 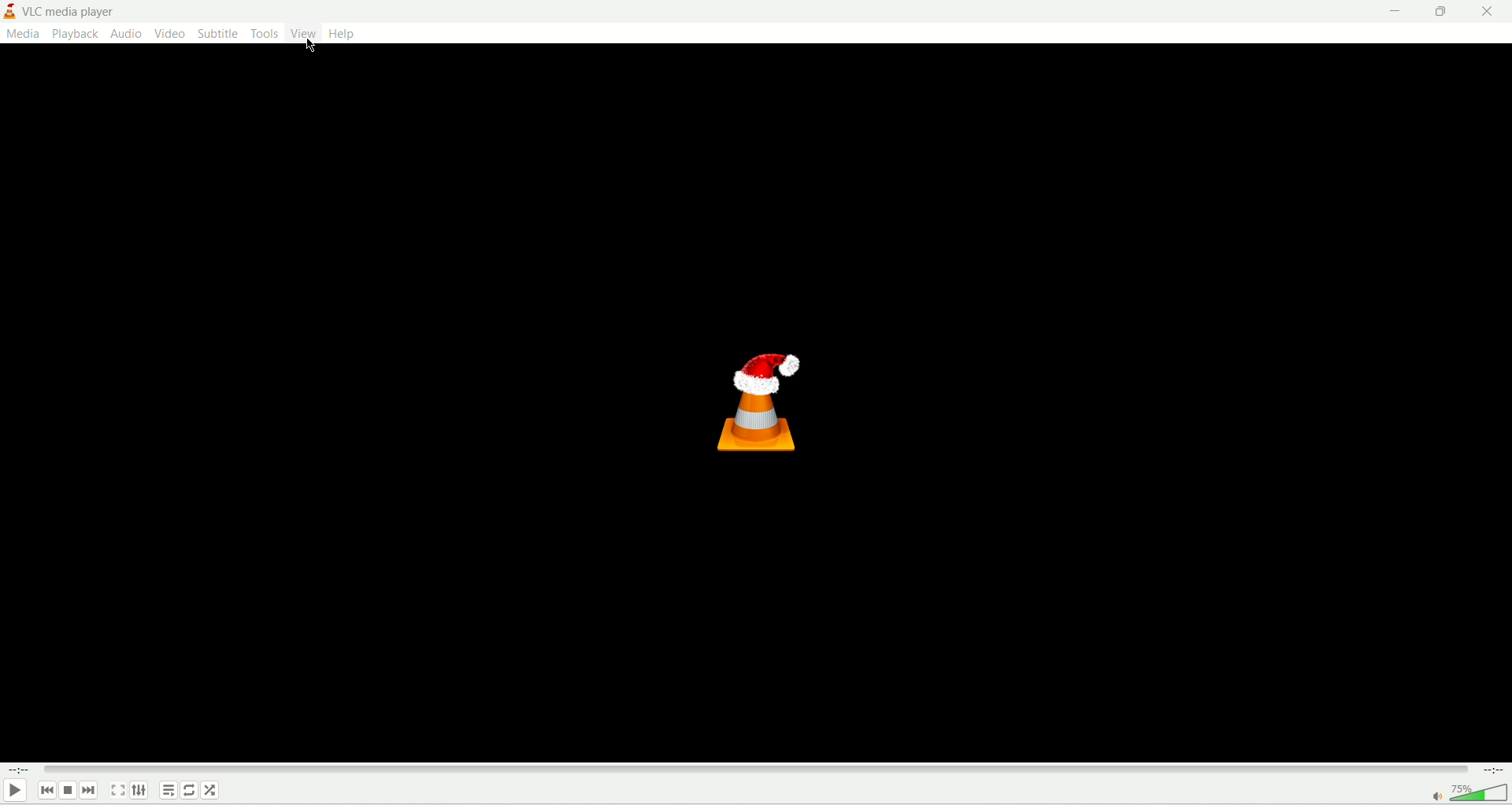 I want to click on extended settings, so click(x=139, y=791).